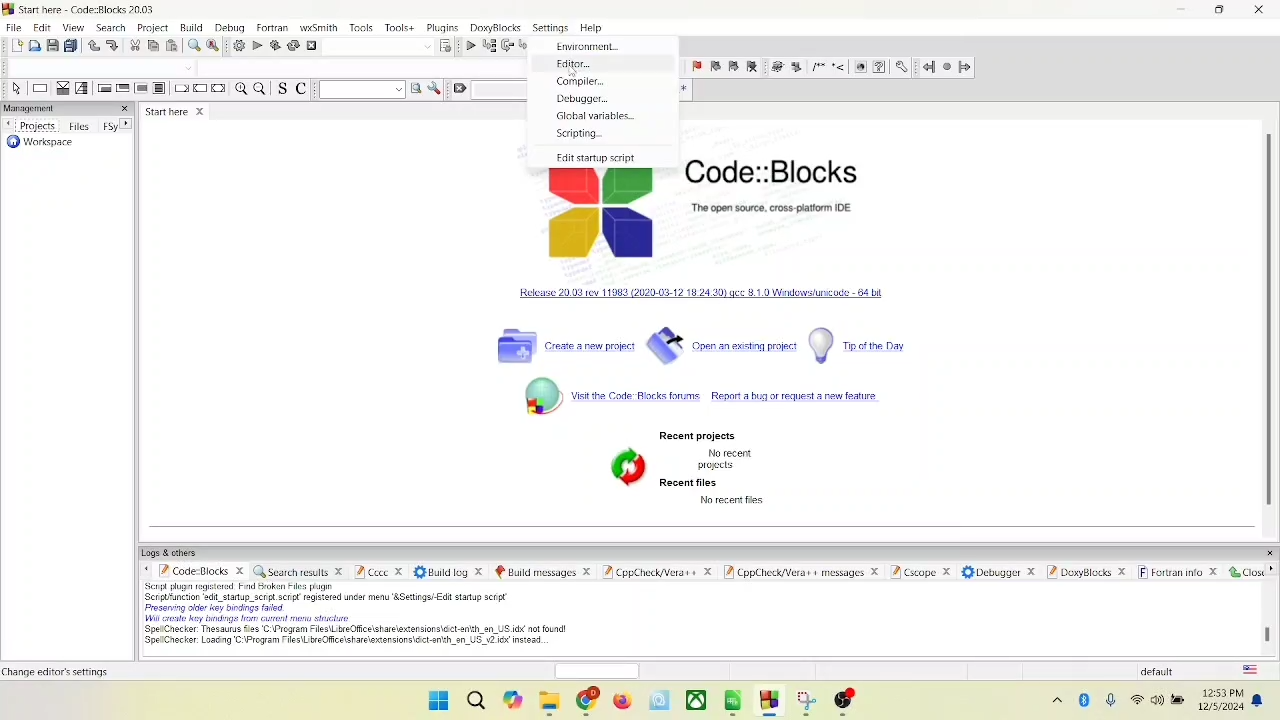 The width and height of the screenshot is (1280, 720). What do you see at coordinates (191, 571) in the screenshot?
I see `code::blocks` at bounding box center [191, 571].